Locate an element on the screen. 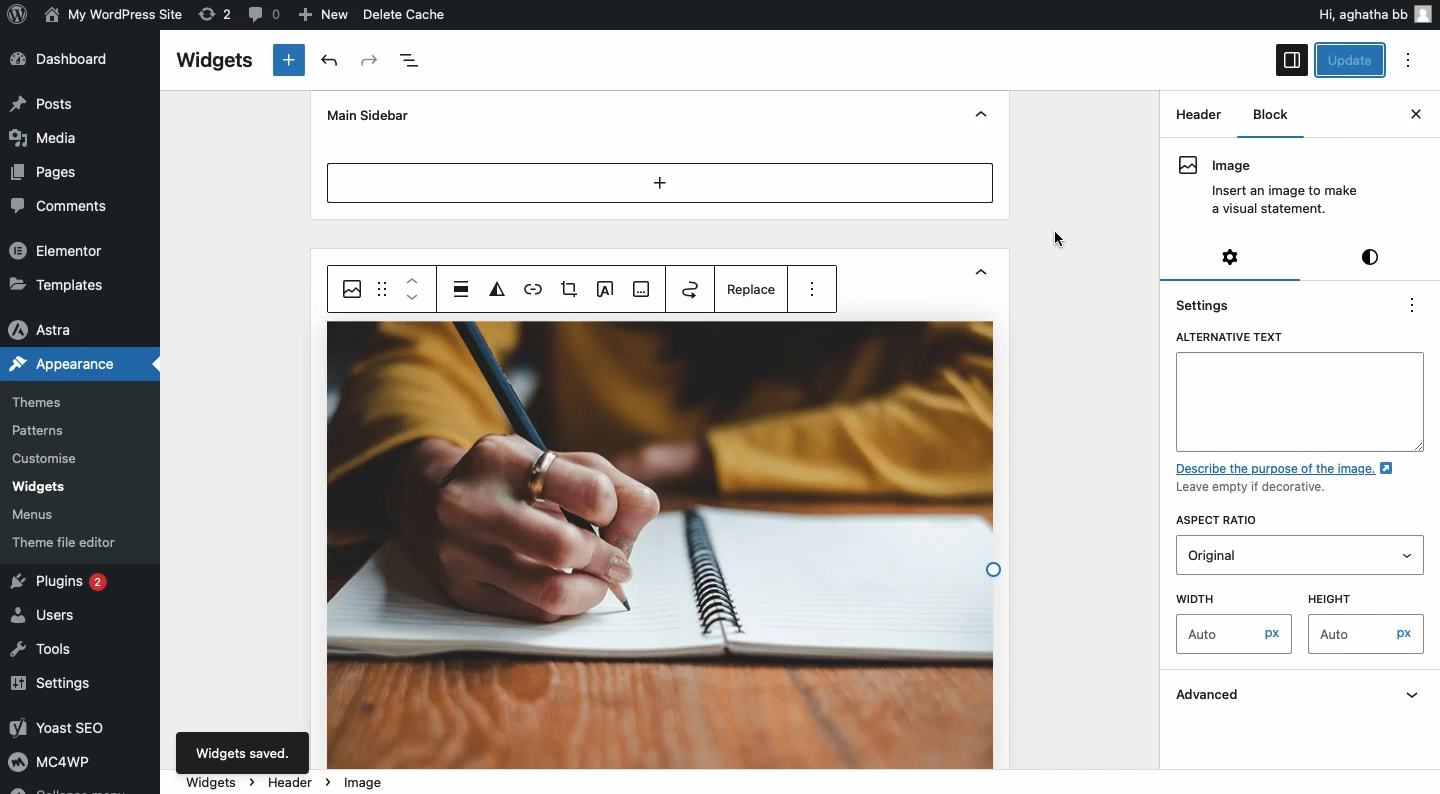 This screenshot has width=1440, height=794. Widgets saved. is located at coordinates (240, 755).